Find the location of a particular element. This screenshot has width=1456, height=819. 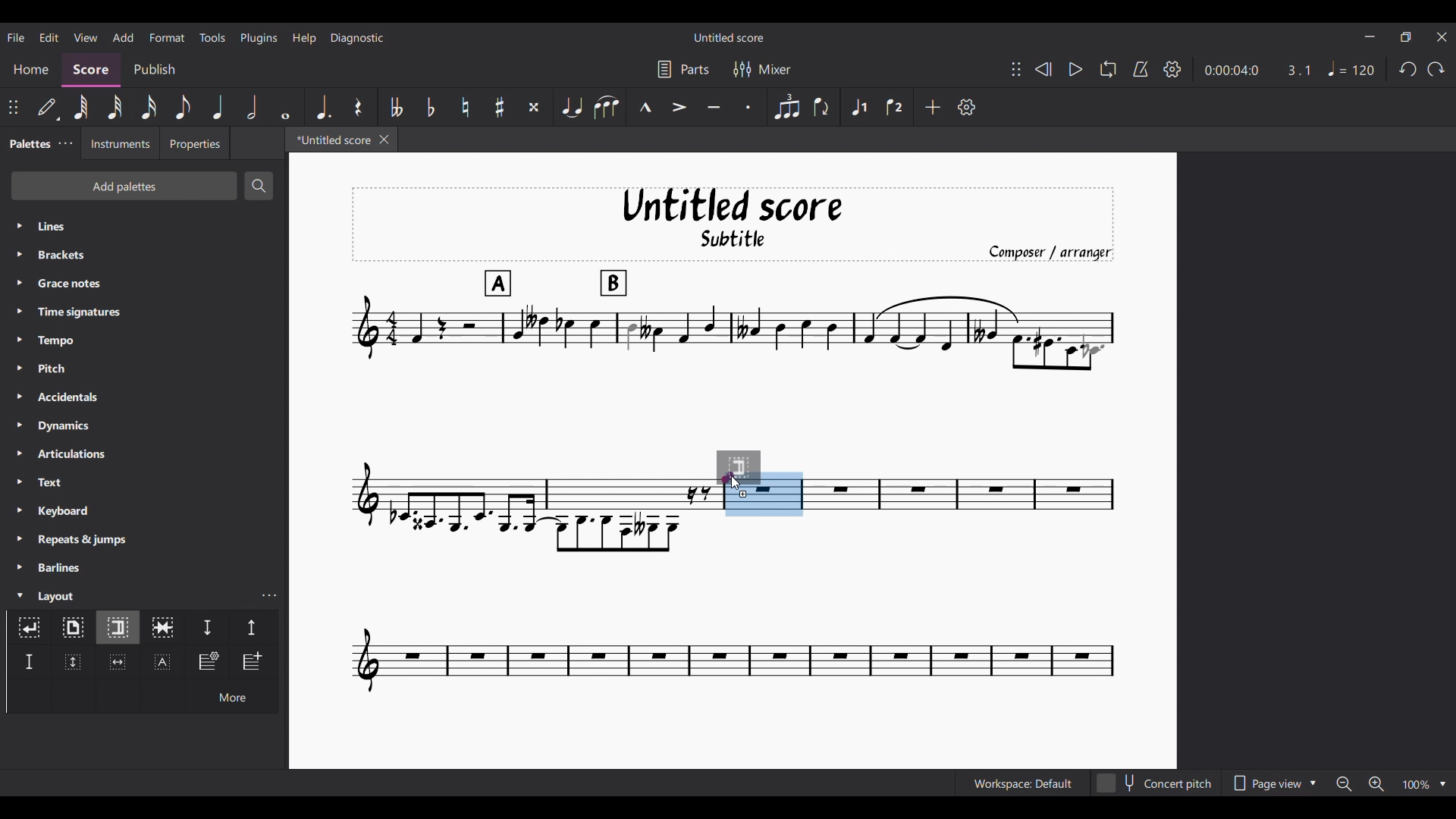

Articulations is located at coordinates (145, 453).